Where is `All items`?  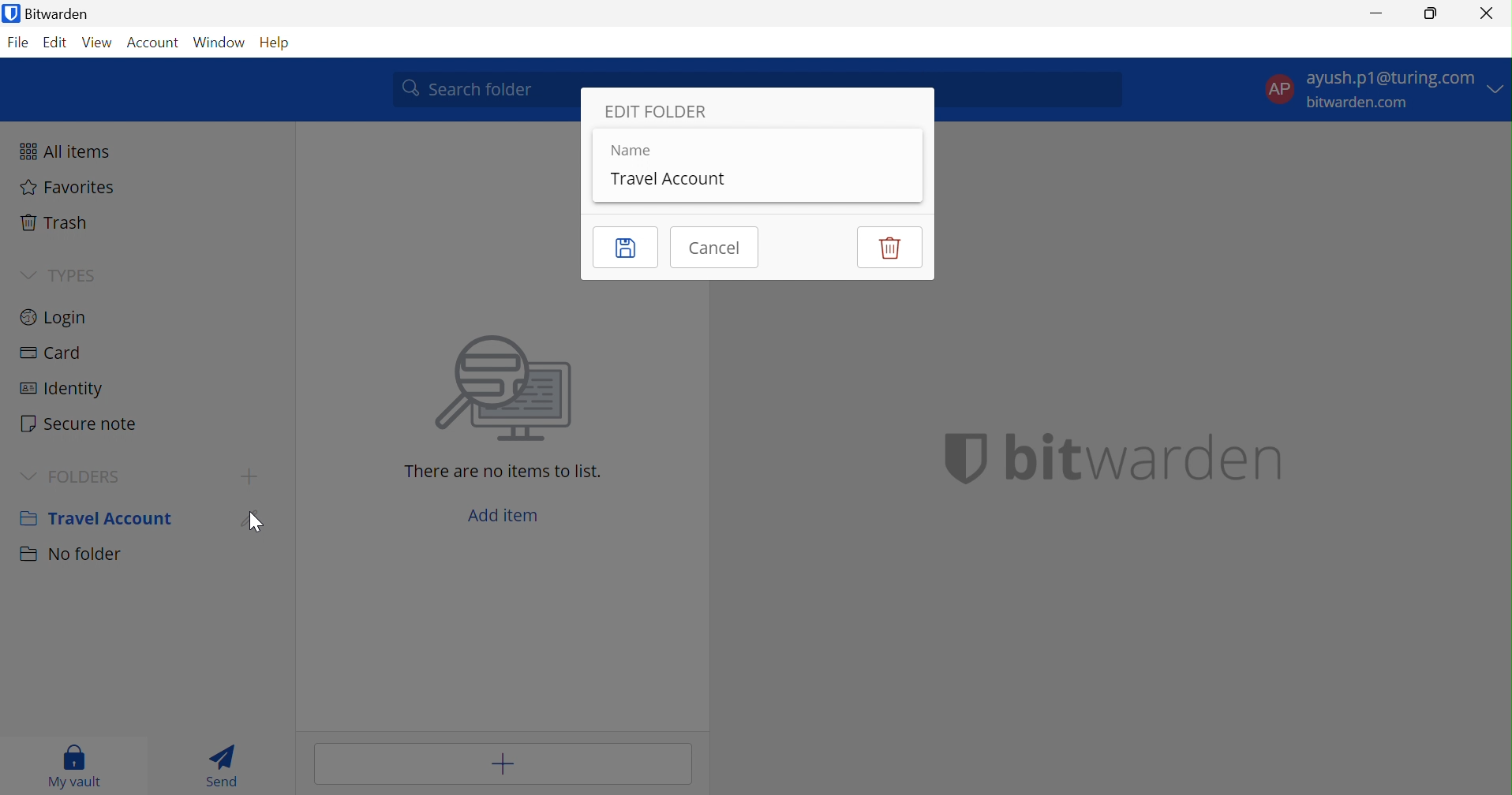
All items is located at coordinates (66, 151).